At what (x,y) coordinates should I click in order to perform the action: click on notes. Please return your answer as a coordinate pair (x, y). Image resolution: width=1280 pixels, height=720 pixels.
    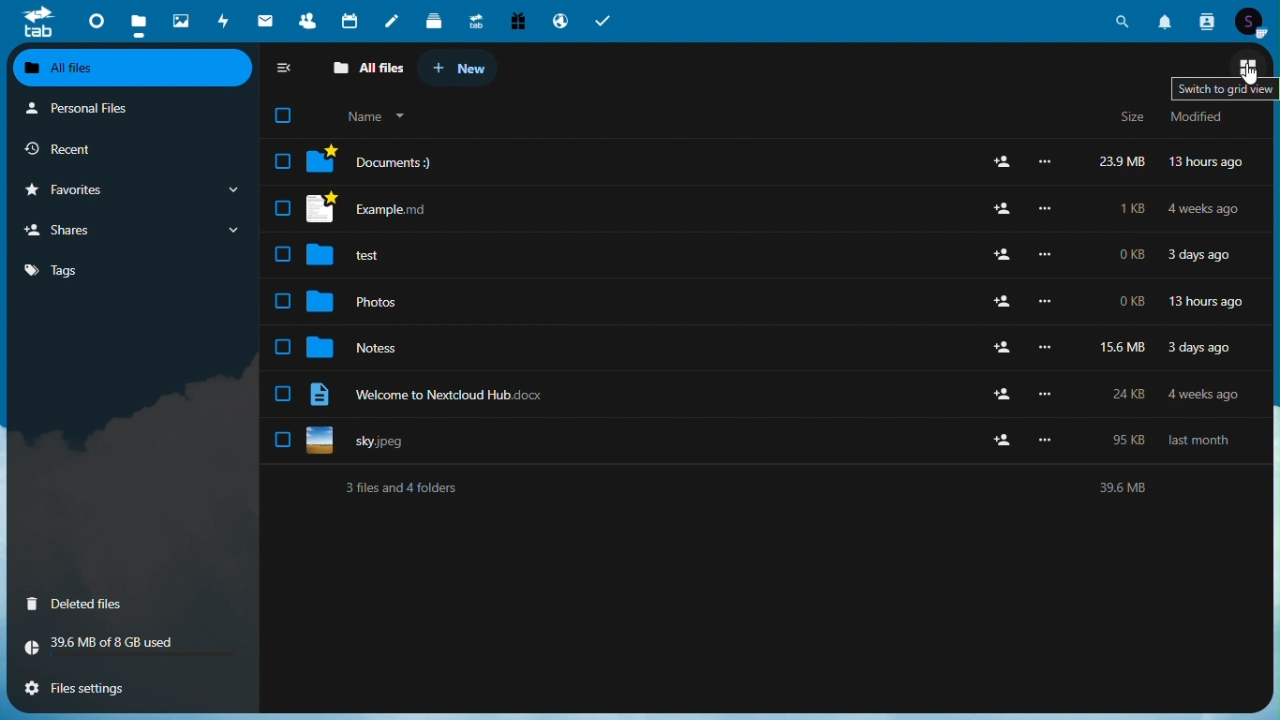
    Looking at the image, I should click on (391, 20).